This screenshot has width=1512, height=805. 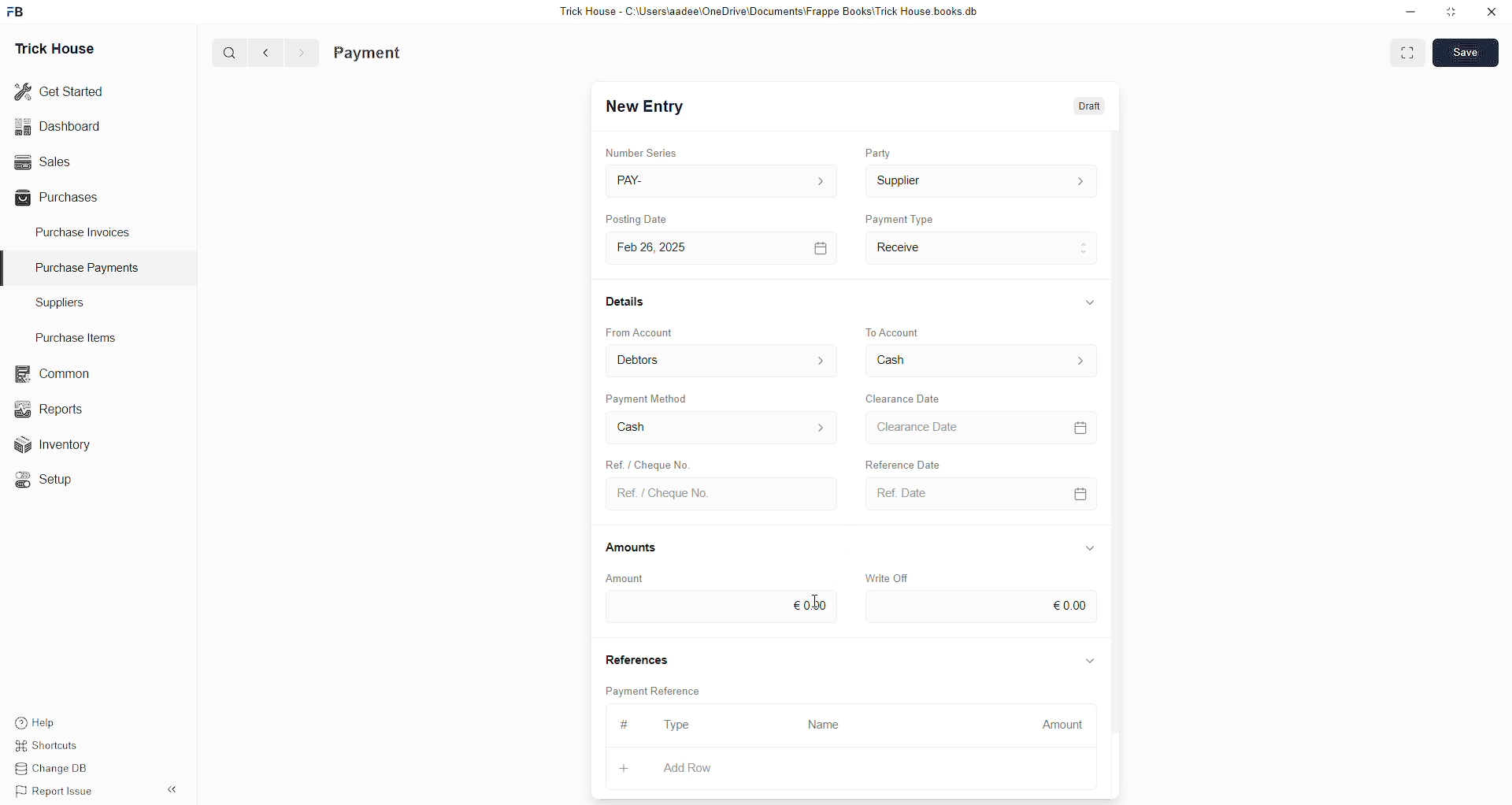 What do you see at coordinates (61, 126) in the screenshot?
I see `Dashboard` at bounding box center [61, 126].